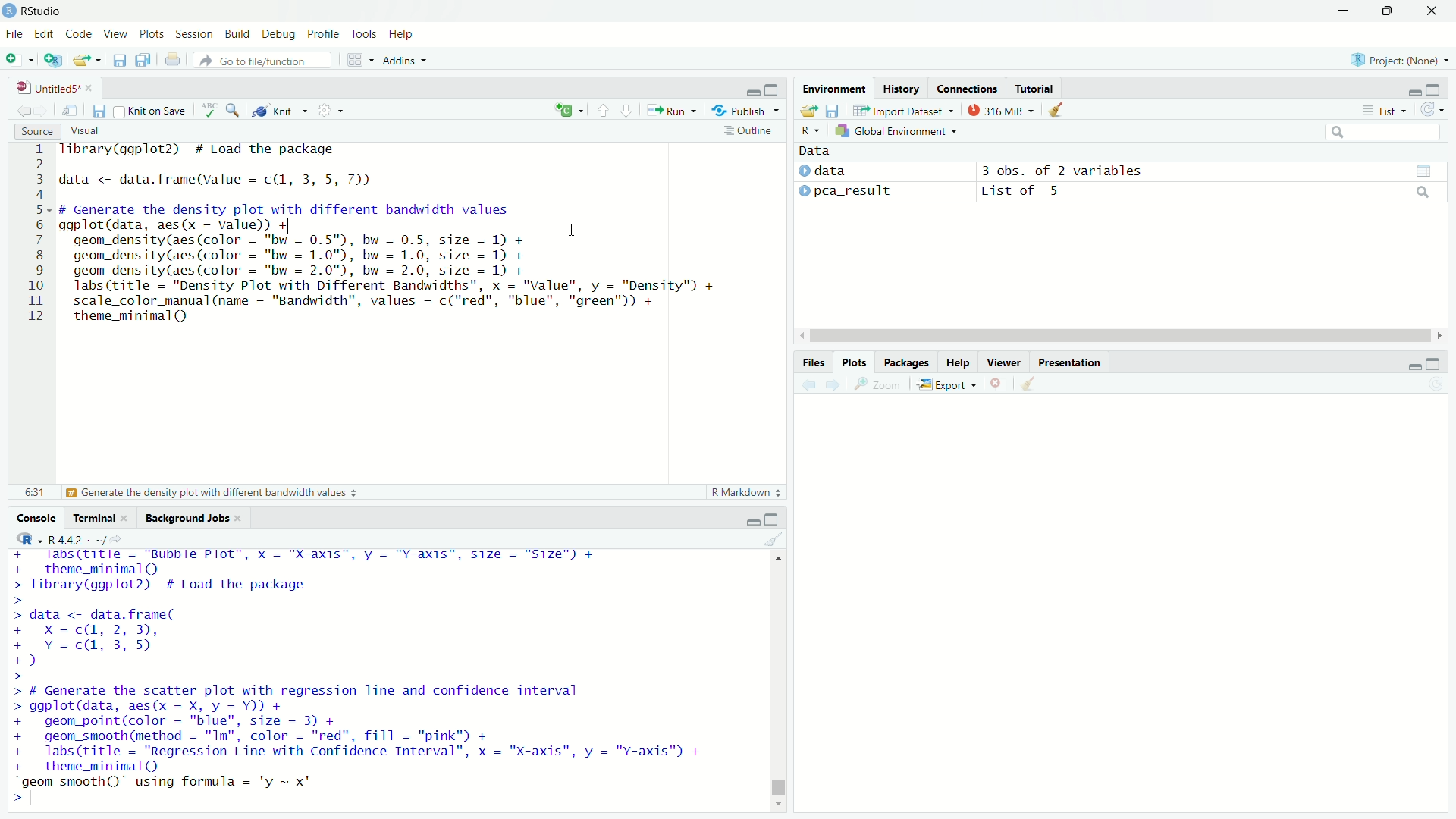  What do you see at coordinates (1062, 171) in the screenshot?
I see `3 obs. of 2 variables` at bounding box center [1062, 171].